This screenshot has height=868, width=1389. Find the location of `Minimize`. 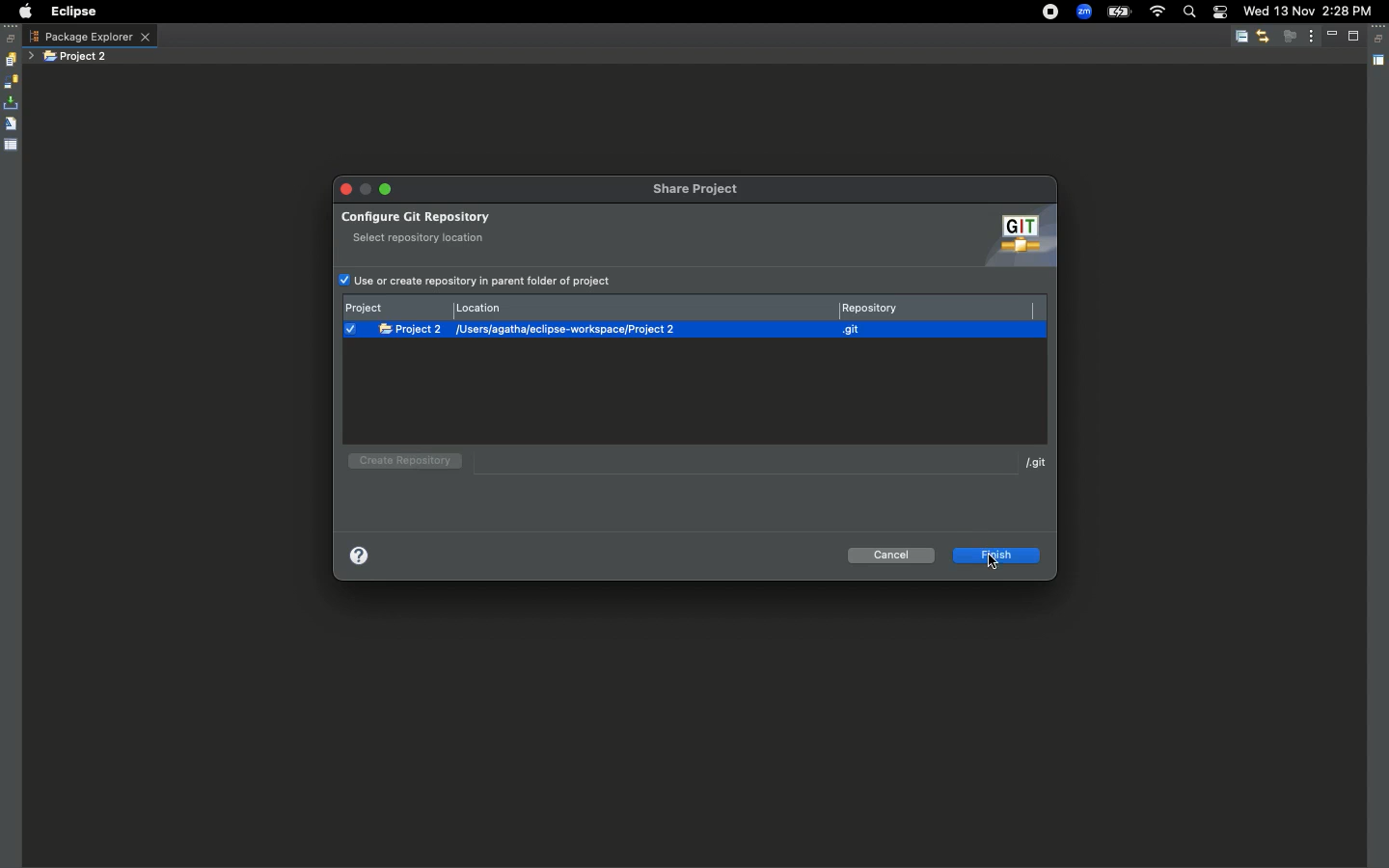

Minimize is located at coordinates (1335, 36).